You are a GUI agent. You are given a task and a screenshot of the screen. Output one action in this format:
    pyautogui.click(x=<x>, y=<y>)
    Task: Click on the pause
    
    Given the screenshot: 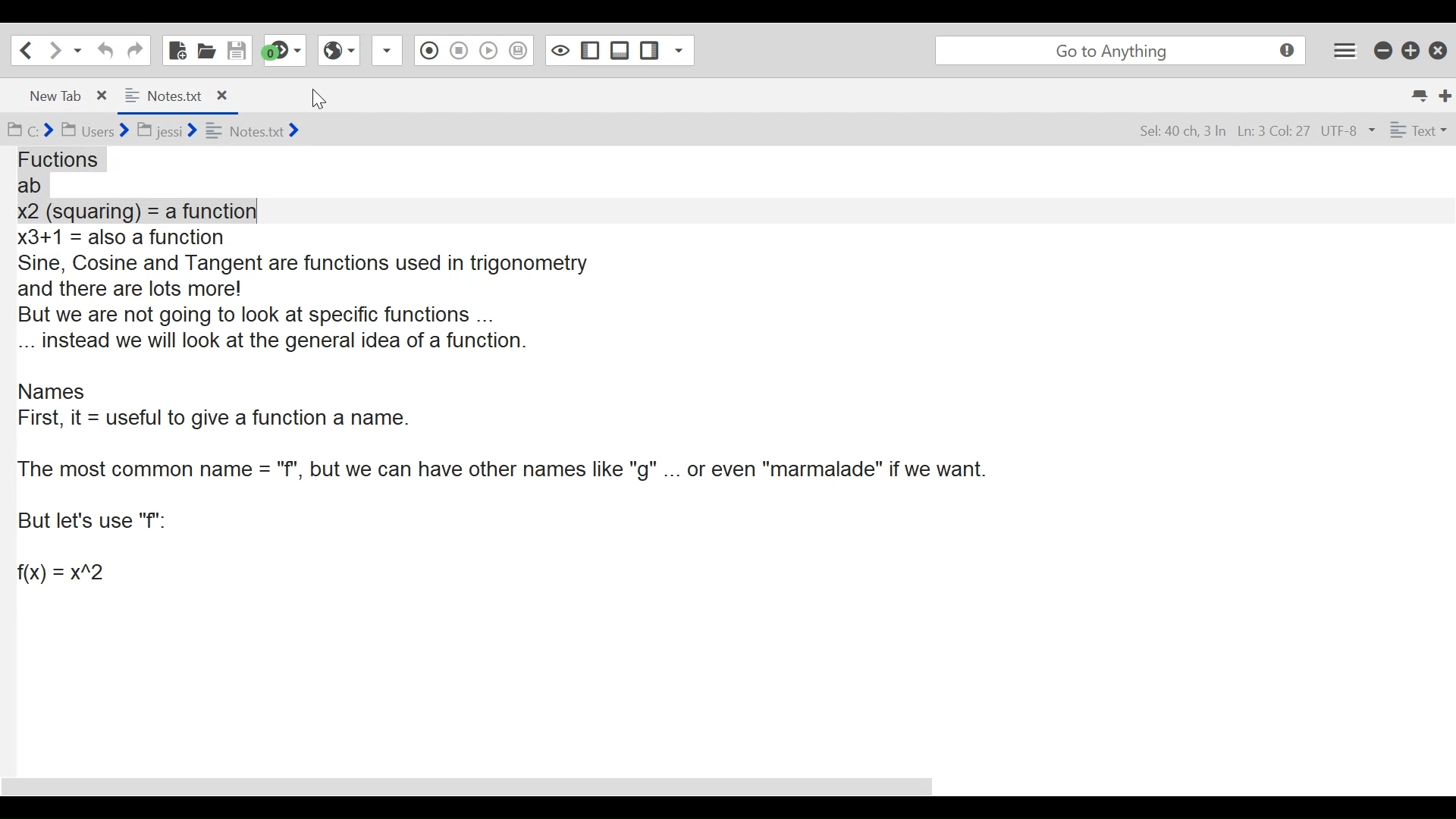 What is the action you would take?
    pyautogui.click(x=460, y=51)
    